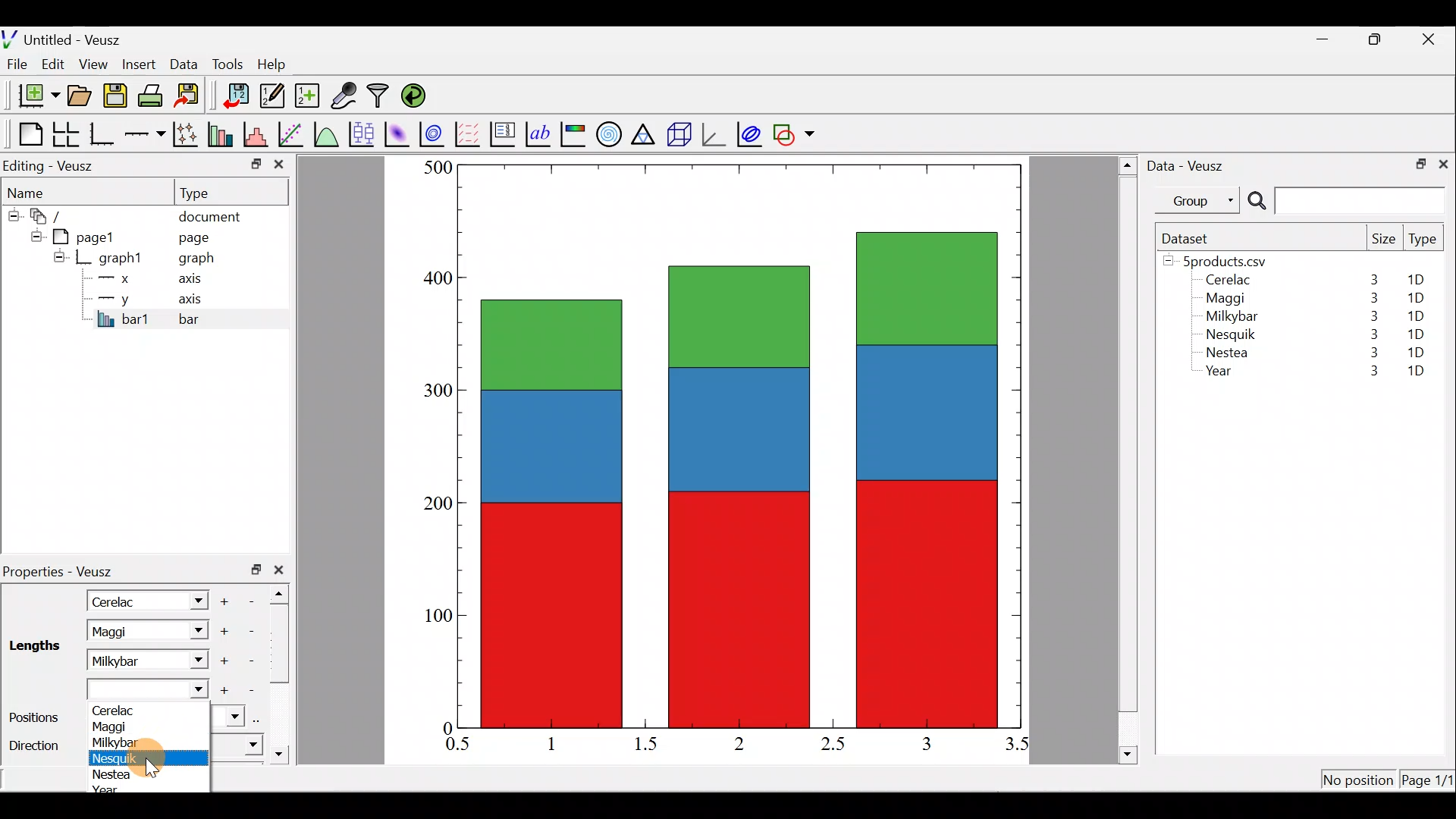  What do you see at coordinates (103, 134) in the screenshot?
I see `Base graph` at bounding box center [103, 134].